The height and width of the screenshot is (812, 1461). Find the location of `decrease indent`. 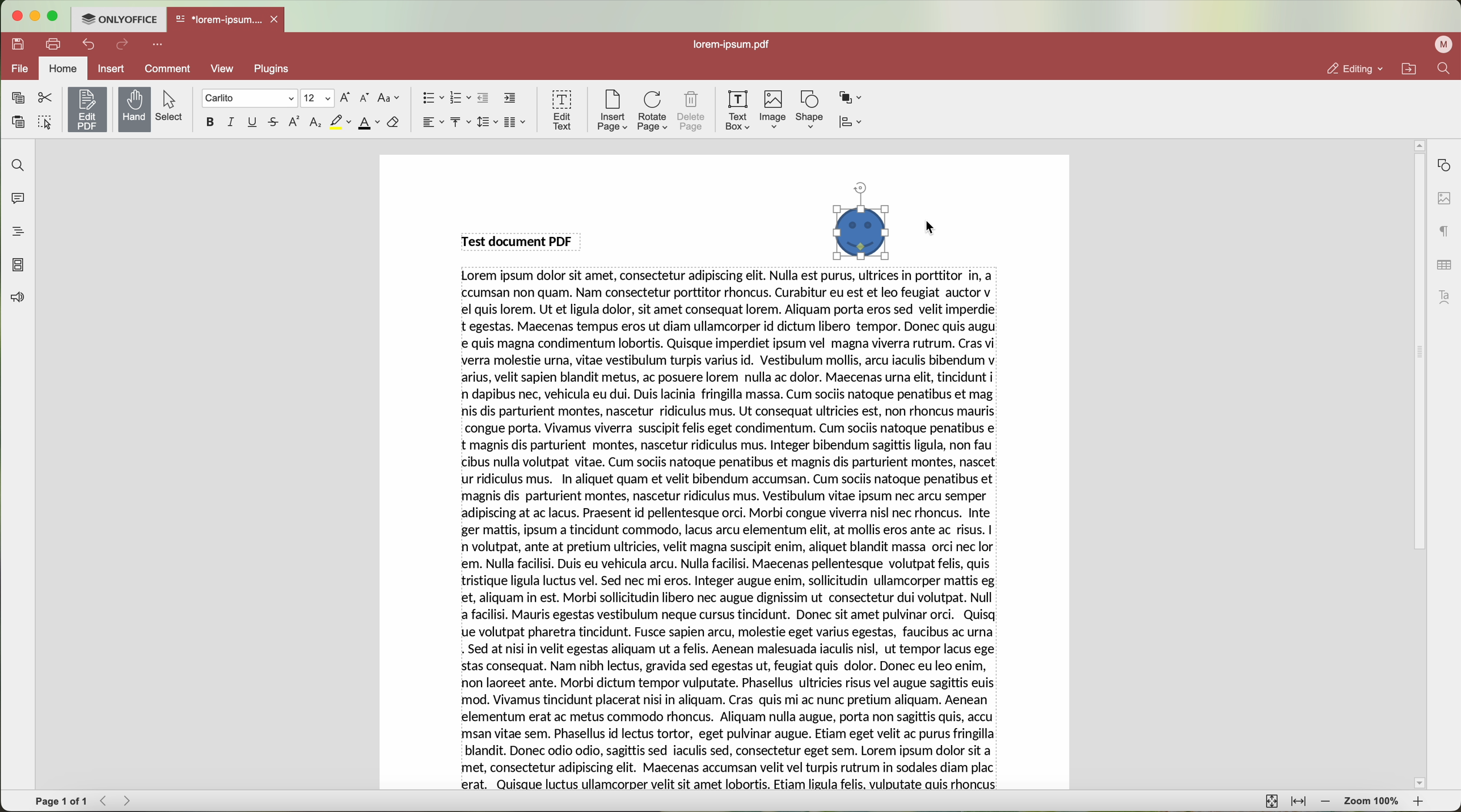

decrease indent is located at coordinates (484, 98).